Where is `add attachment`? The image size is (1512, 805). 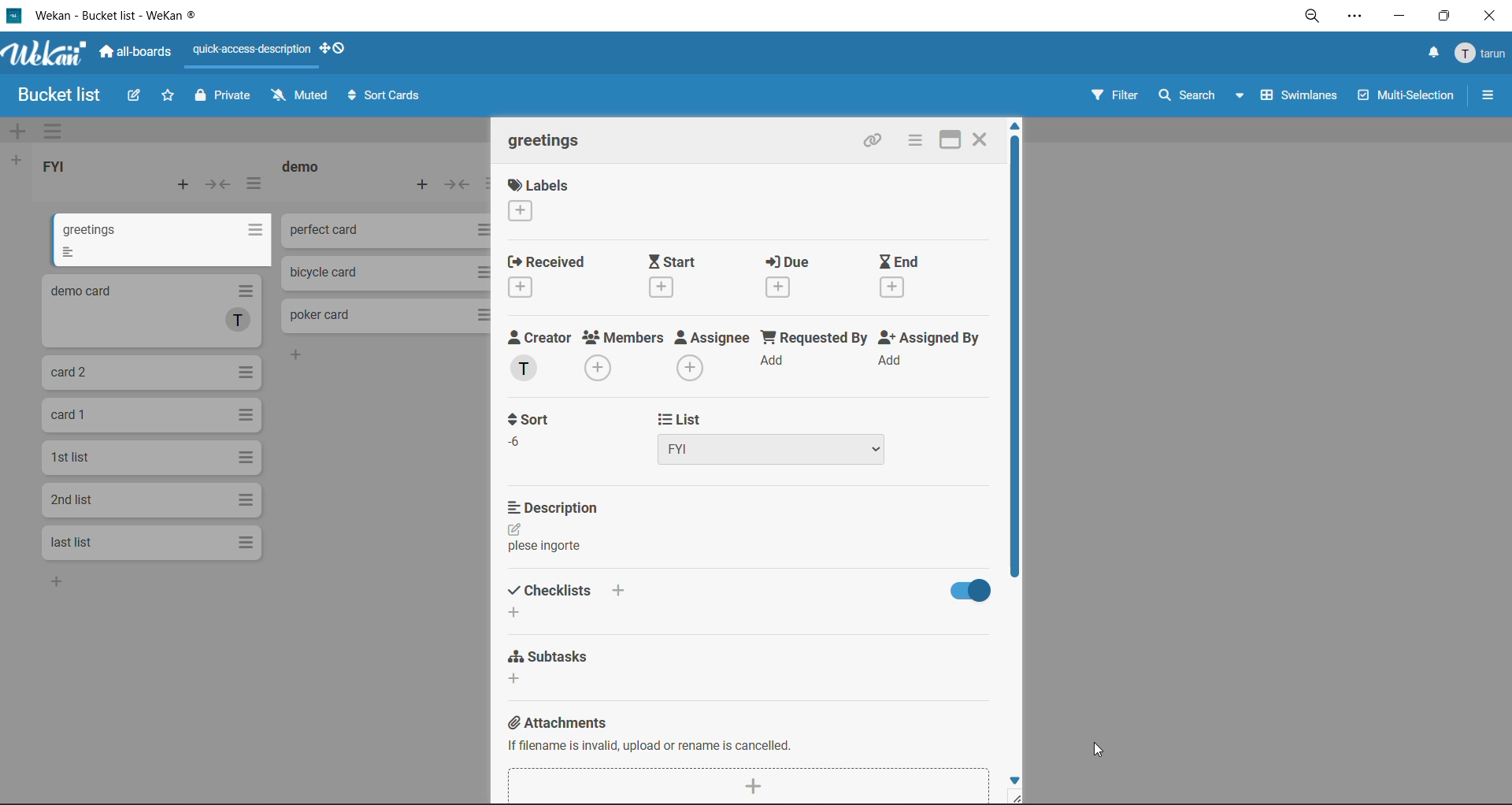 add attachment is located at coordinates (752, 783).